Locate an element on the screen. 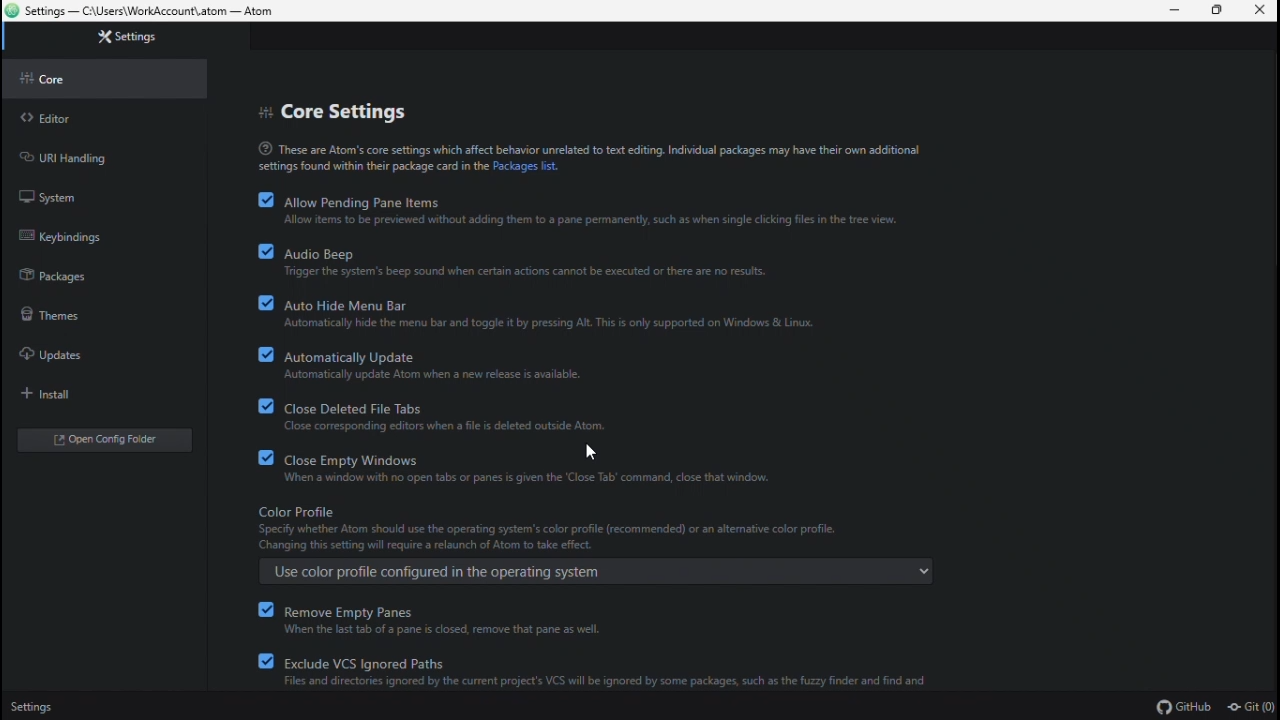 The width and height of the screenshot is (1280, 720). Settings is located at coordinates (117, 38).